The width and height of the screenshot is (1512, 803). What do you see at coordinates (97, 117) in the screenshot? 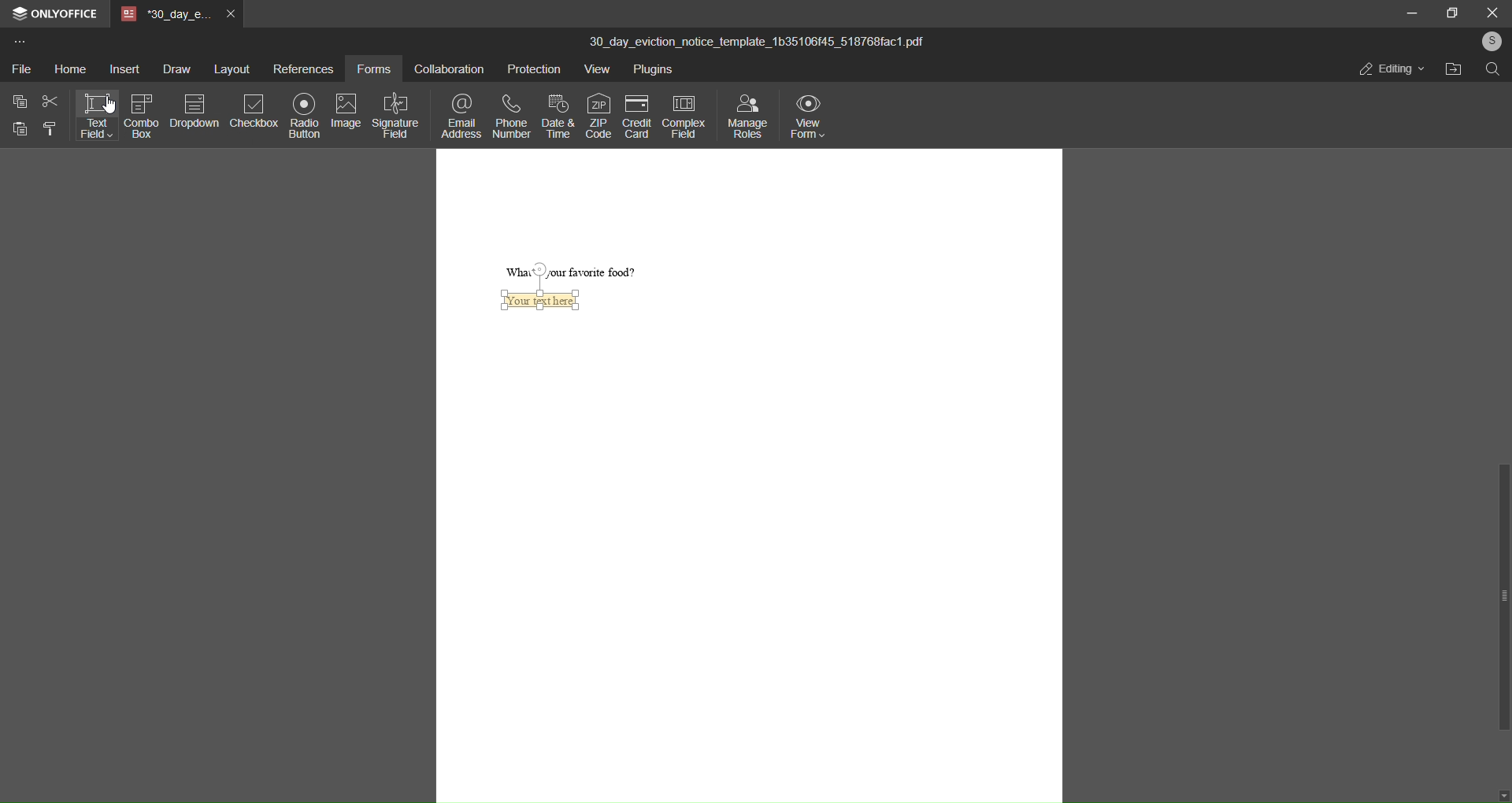
I see `text field` at bounding box center [97, 117].